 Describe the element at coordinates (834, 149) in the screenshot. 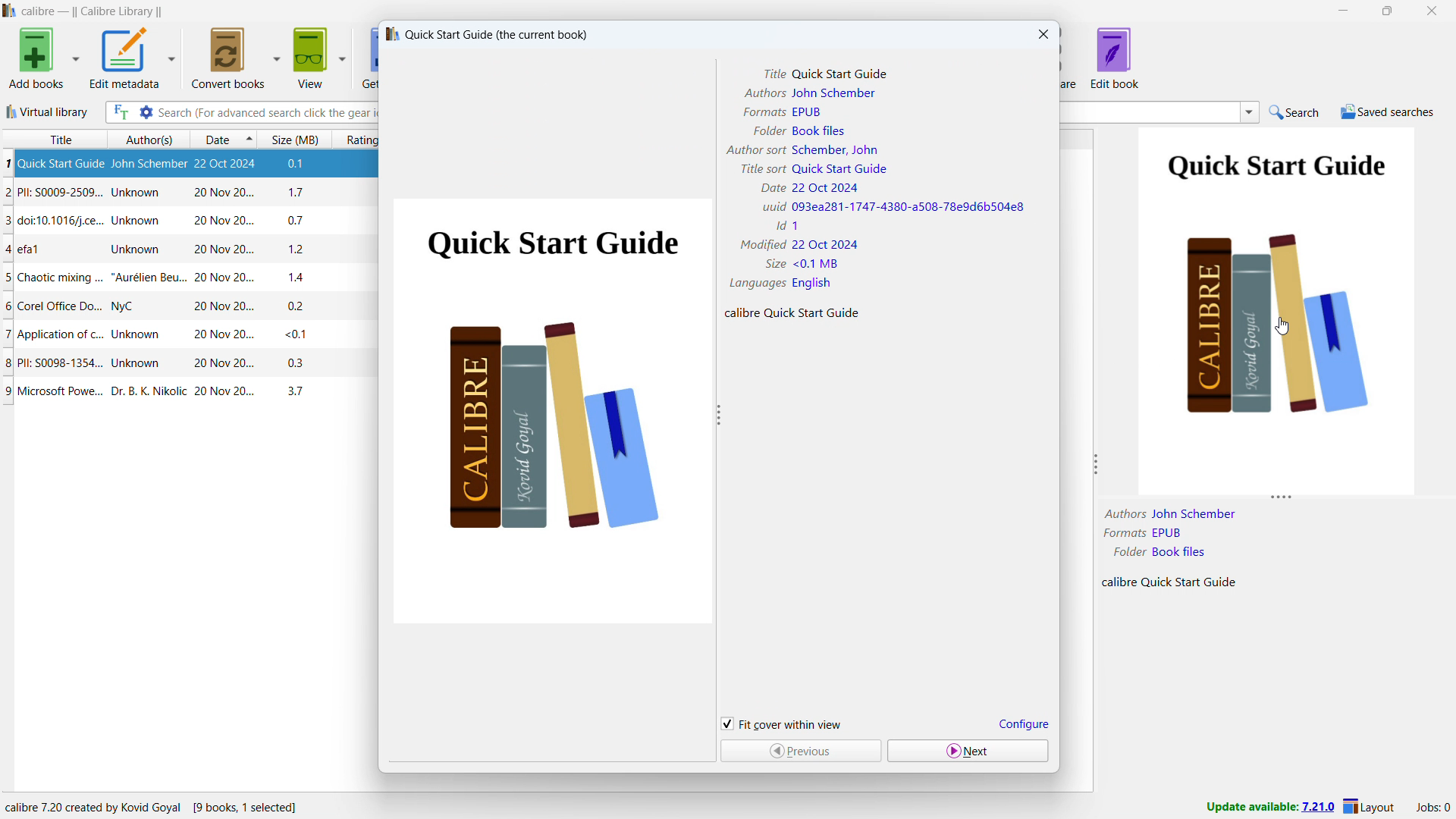

I see `Schember John` at that location.